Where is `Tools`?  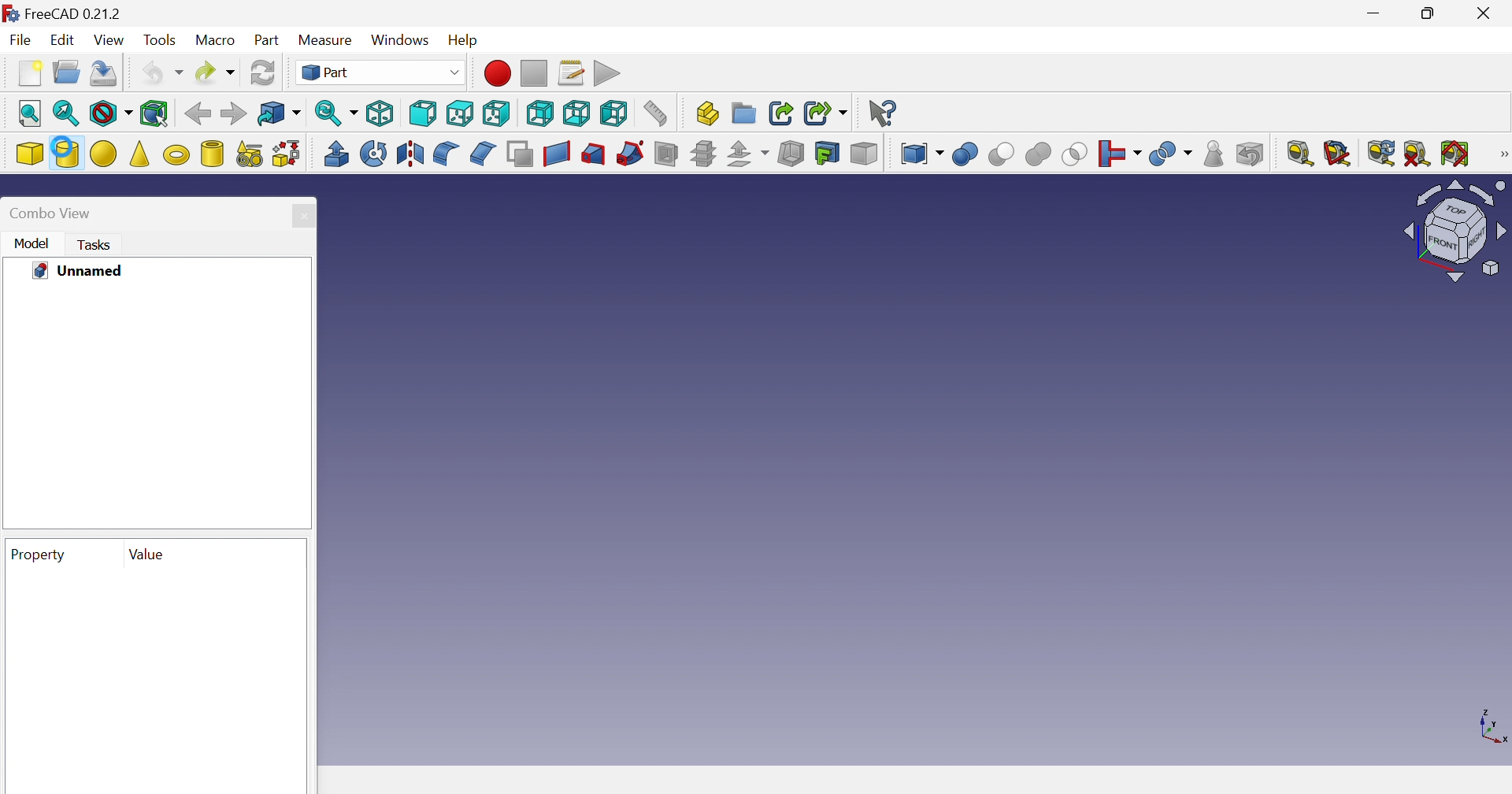 Tools is located at coordinates (161, 39).